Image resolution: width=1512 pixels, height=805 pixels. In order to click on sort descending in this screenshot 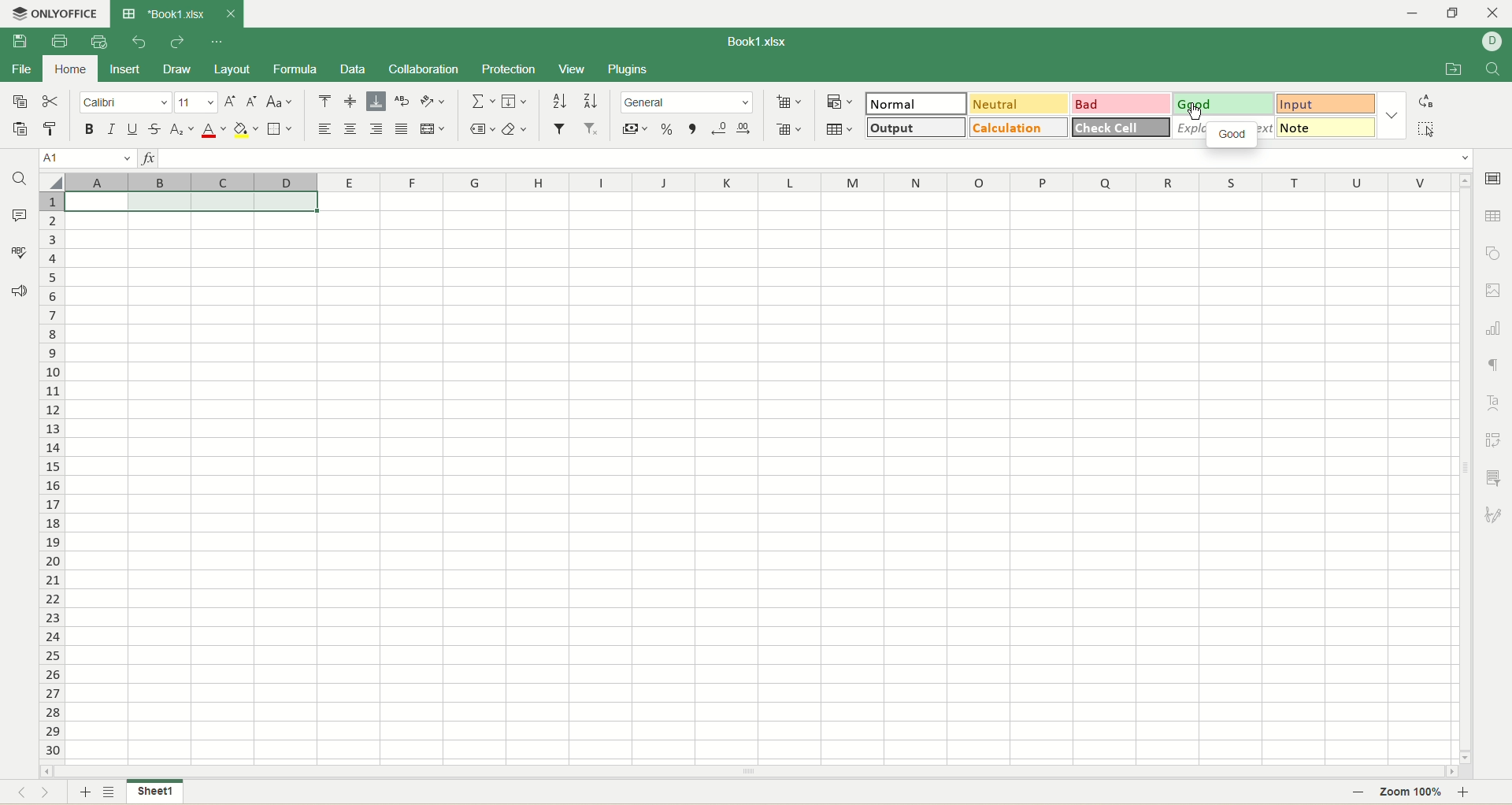, I will do `click(589, 102)`.